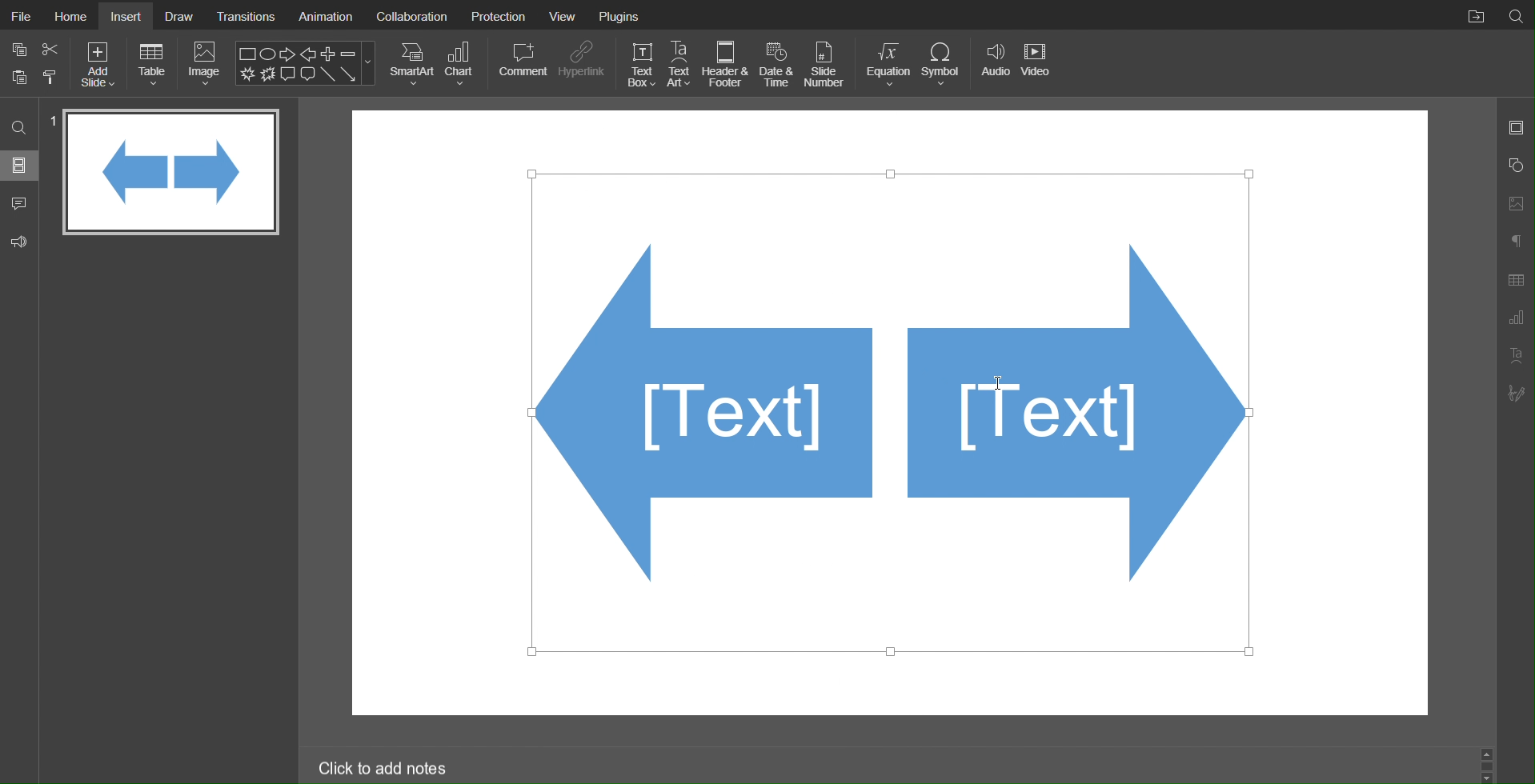 The height and width of the screenshot is (784, 1535). I want to click on Video, so click(1038, 64).